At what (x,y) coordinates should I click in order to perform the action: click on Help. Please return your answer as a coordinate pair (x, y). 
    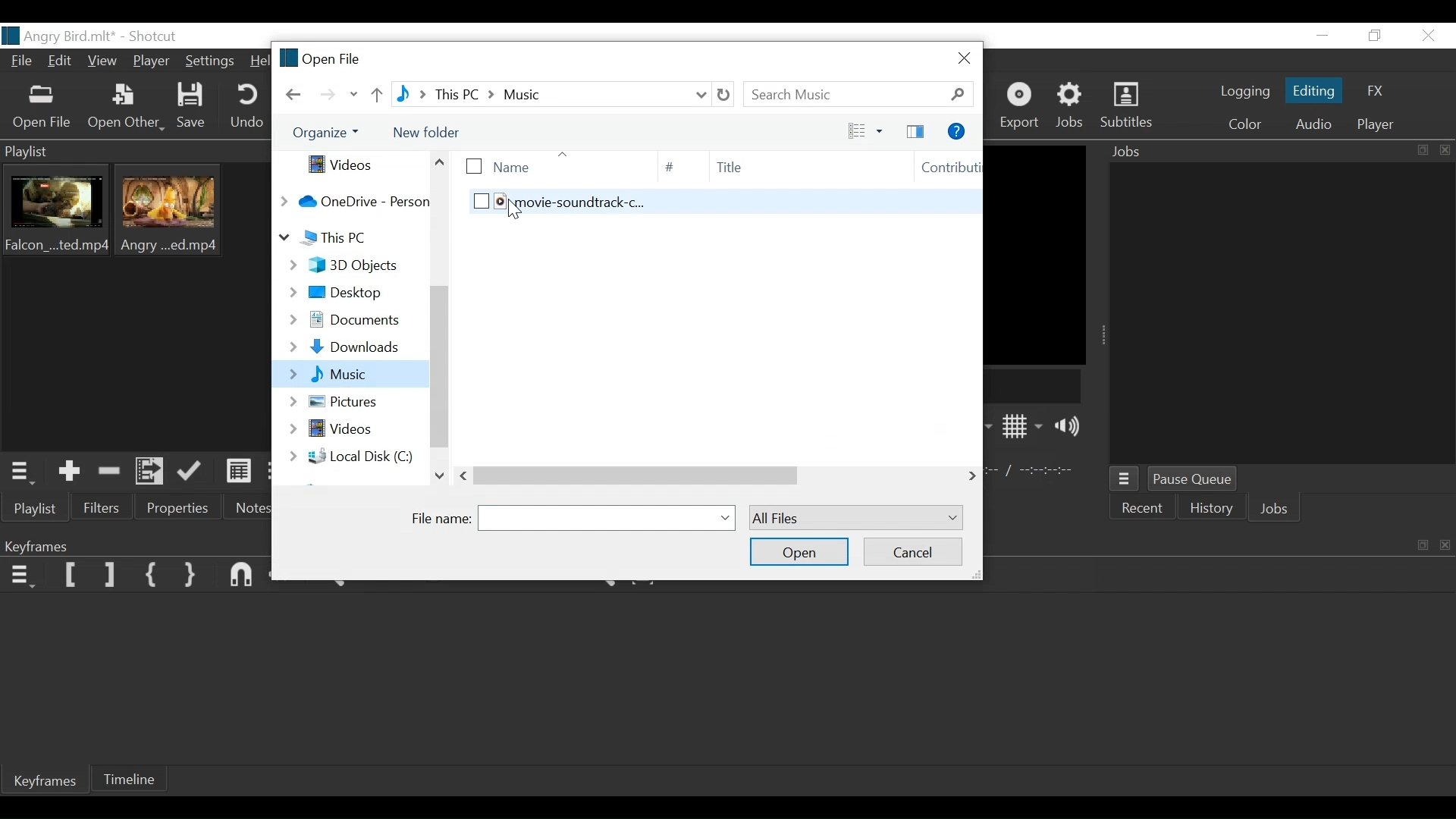
    Looking at the image, I should click on (957, 130).